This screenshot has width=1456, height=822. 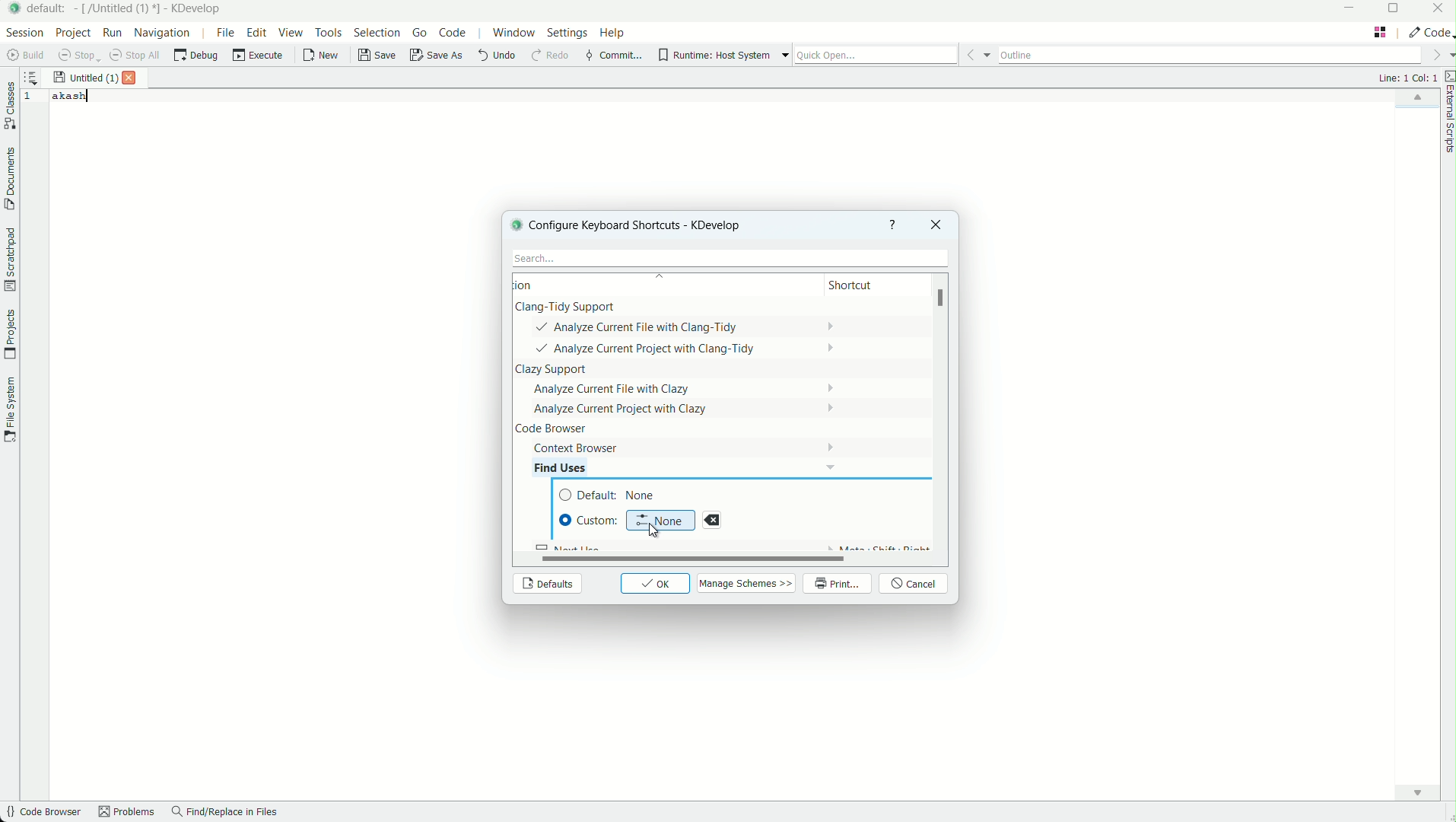 What do you see at coordinates (137, 56) in the screenshot?
I see `stop all` at bounding box center [137, 56].